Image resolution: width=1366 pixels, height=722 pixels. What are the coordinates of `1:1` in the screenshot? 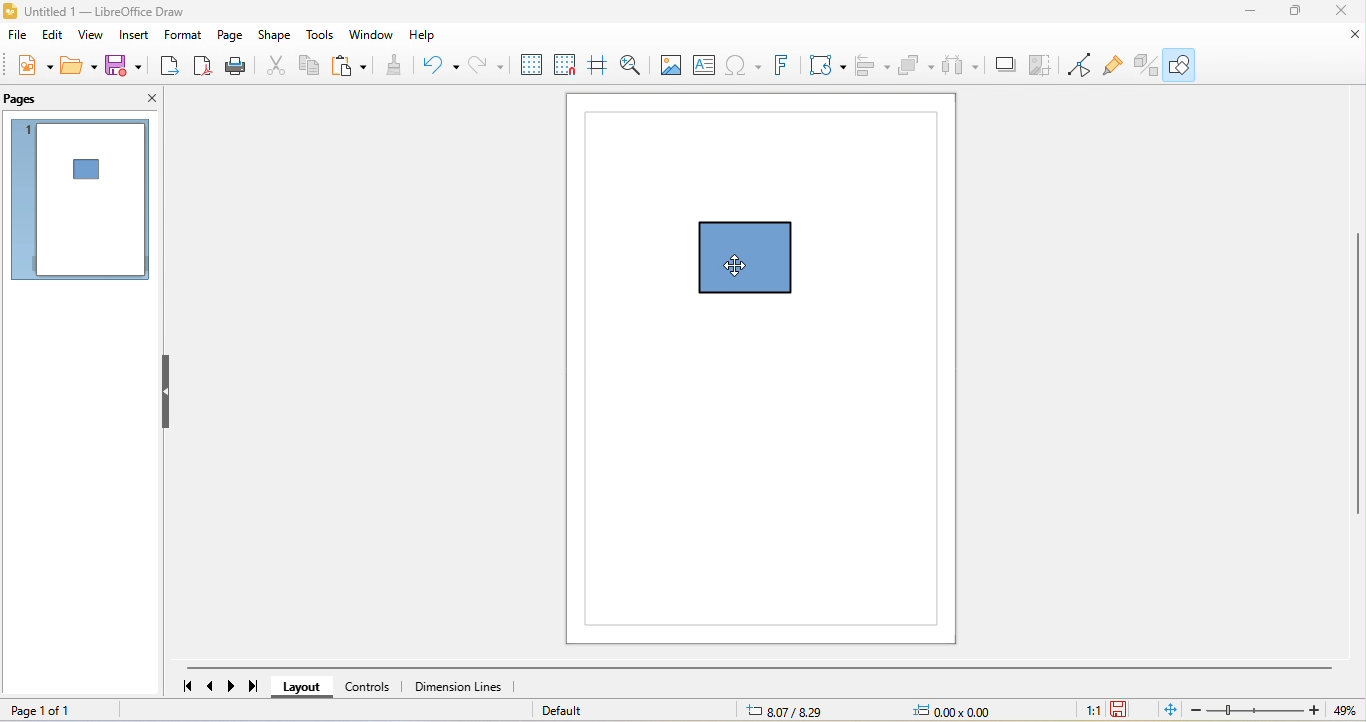 It's located at (1091, 711).